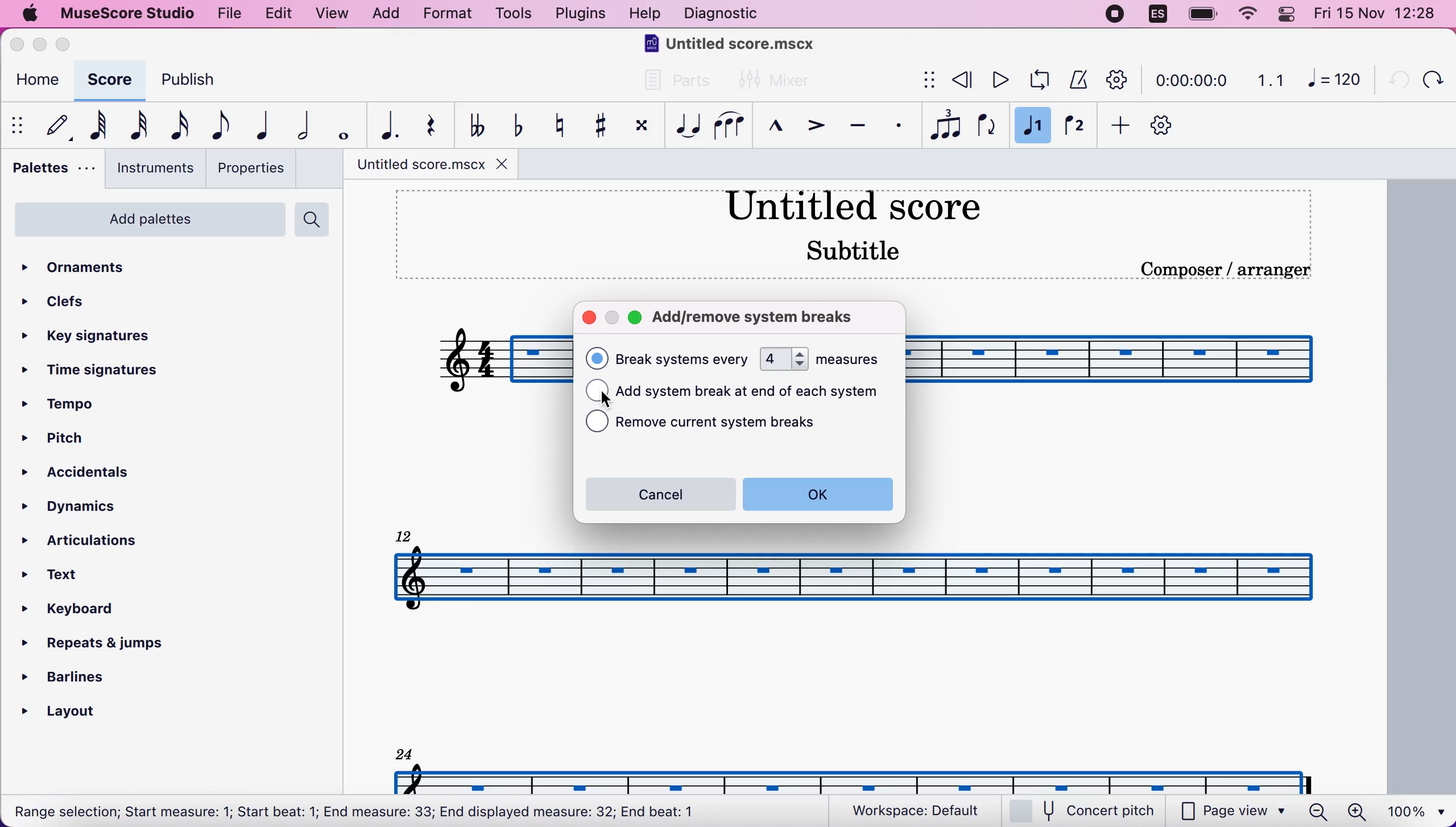  What do you see at coordinates (89, 539) in the screenshot?
I see `articulations` at bounding box center [89, 539].